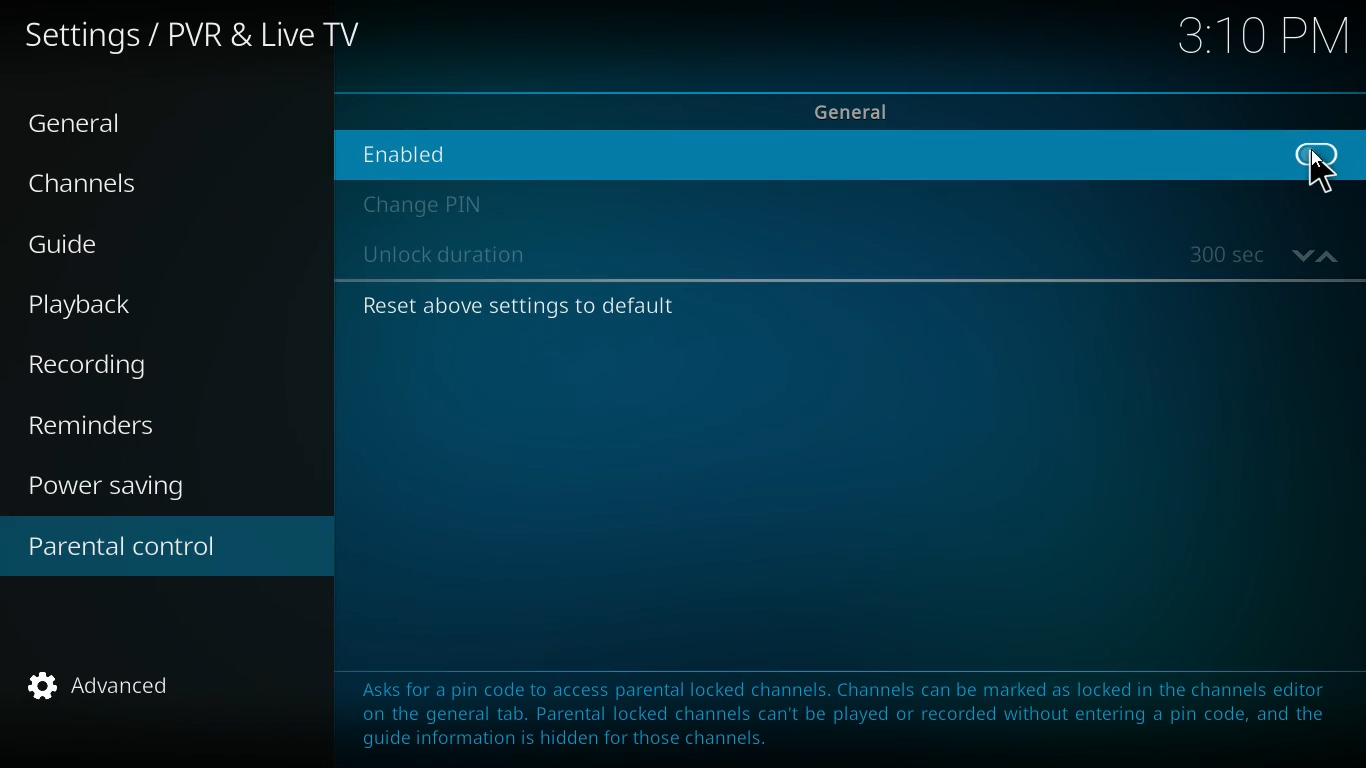  What do you see at coordinates (1263, 40) in the screenshot?
I see `time` at bounding box center [1263, 40].